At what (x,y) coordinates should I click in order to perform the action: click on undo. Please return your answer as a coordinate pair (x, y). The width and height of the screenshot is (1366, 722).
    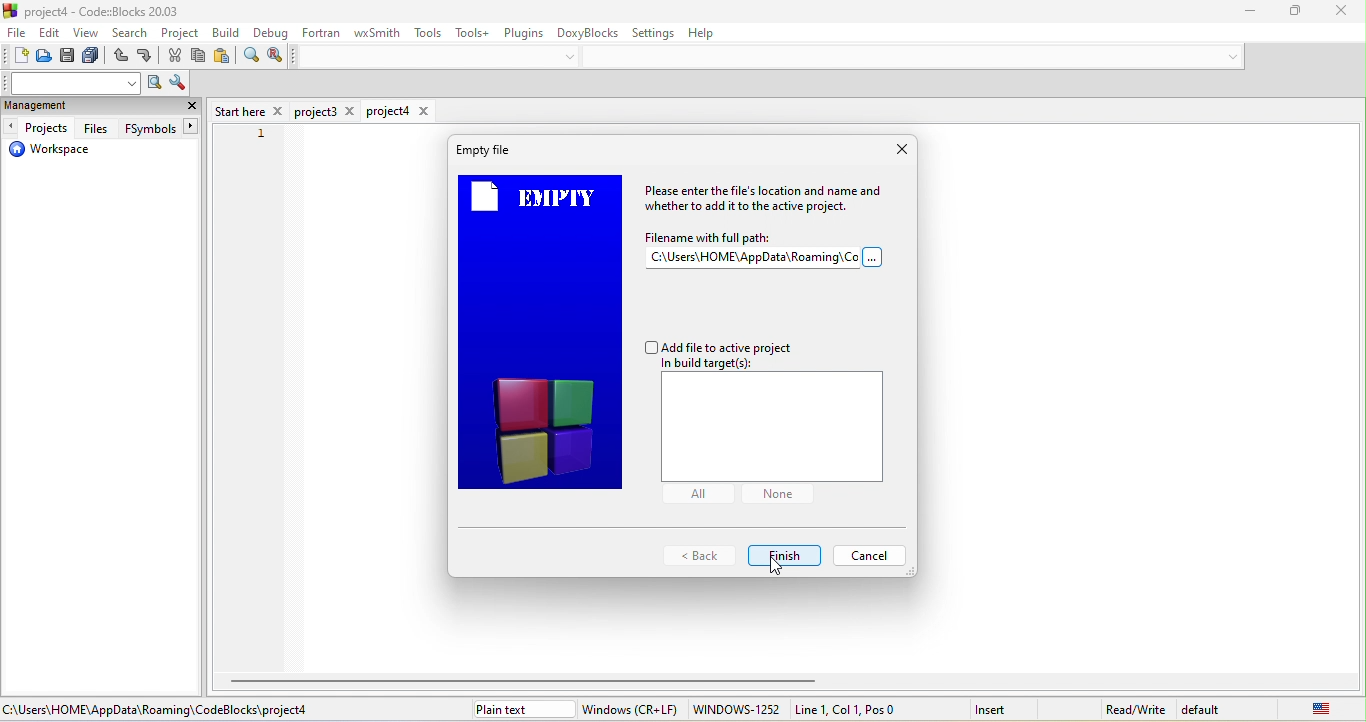
    Looking at the image, I should click on (120, 58).